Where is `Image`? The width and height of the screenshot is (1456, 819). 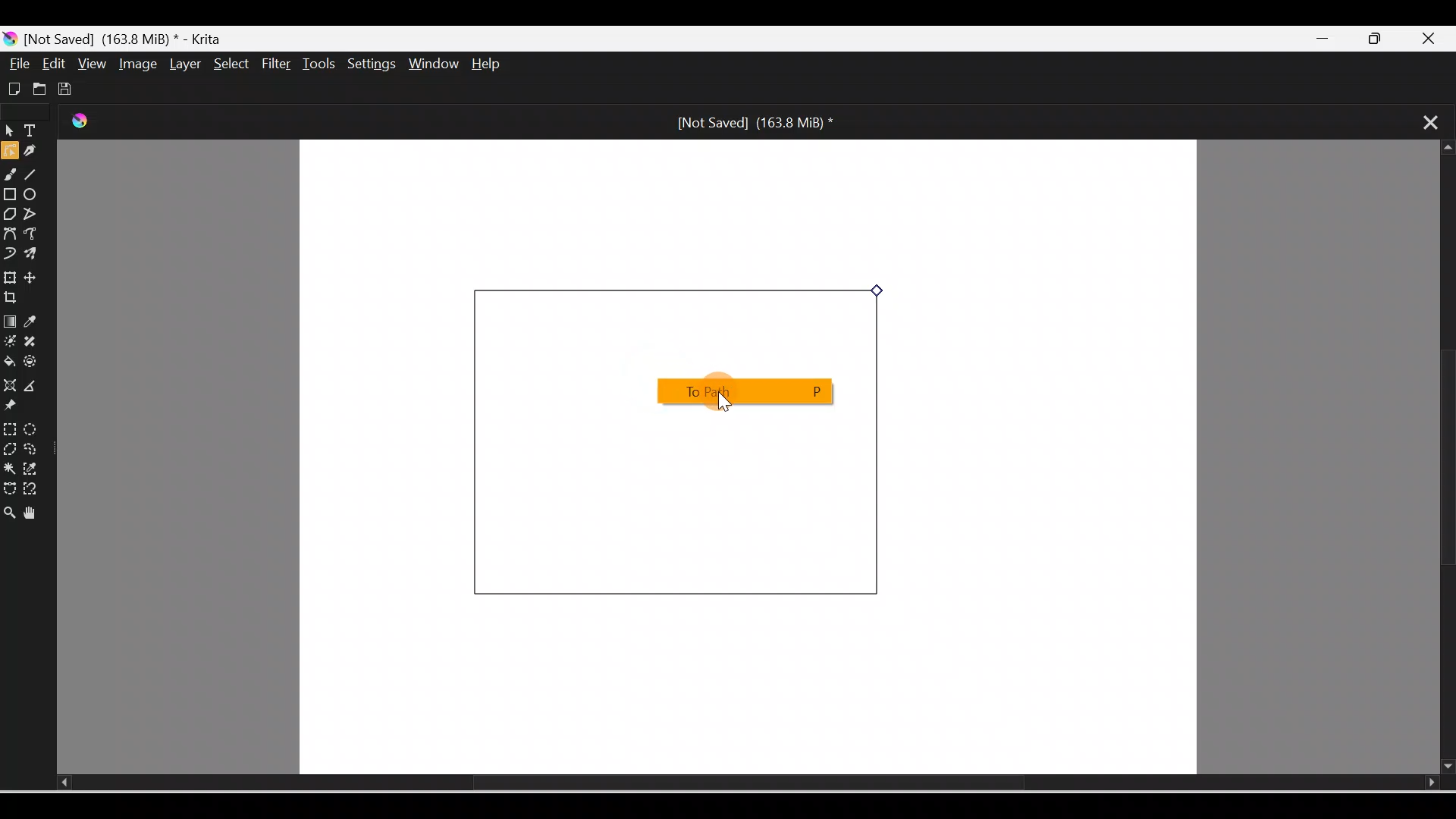 Image is located at coordinates (135, 64).